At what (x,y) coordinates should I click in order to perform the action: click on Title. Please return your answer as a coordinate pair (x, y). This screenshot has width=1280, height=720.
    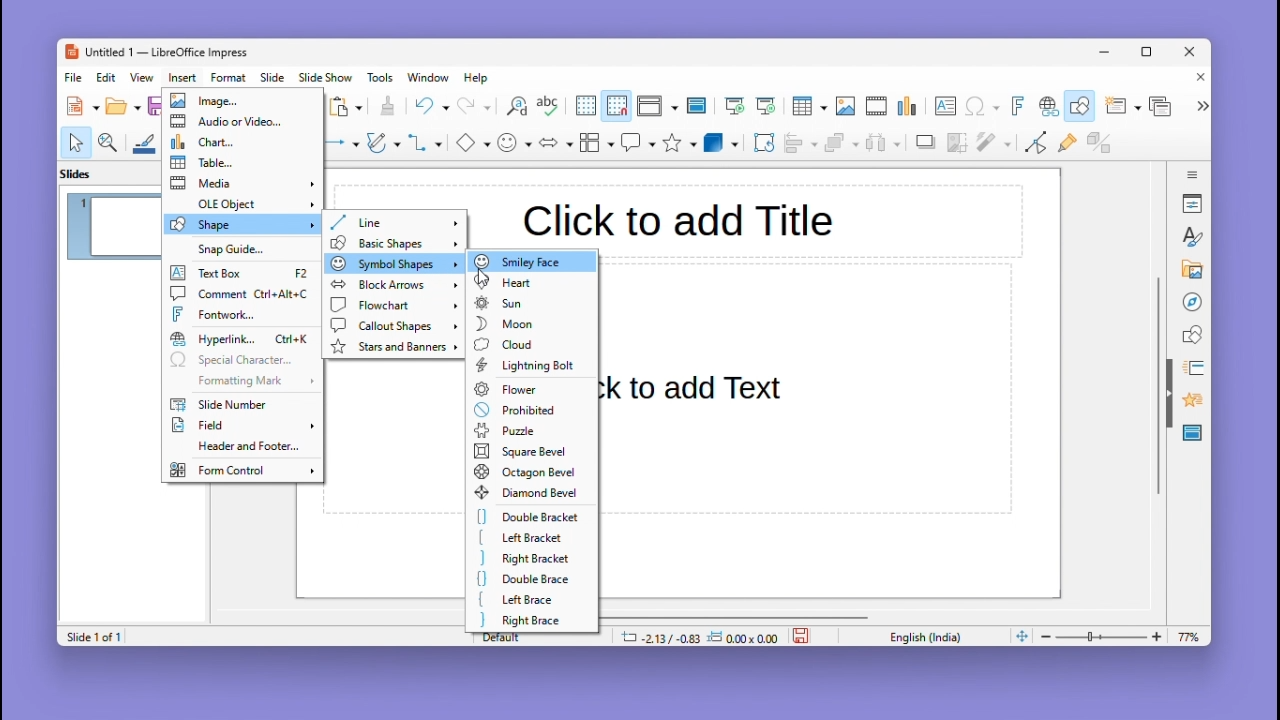
    Looking at the image, I should click on (678, 218).